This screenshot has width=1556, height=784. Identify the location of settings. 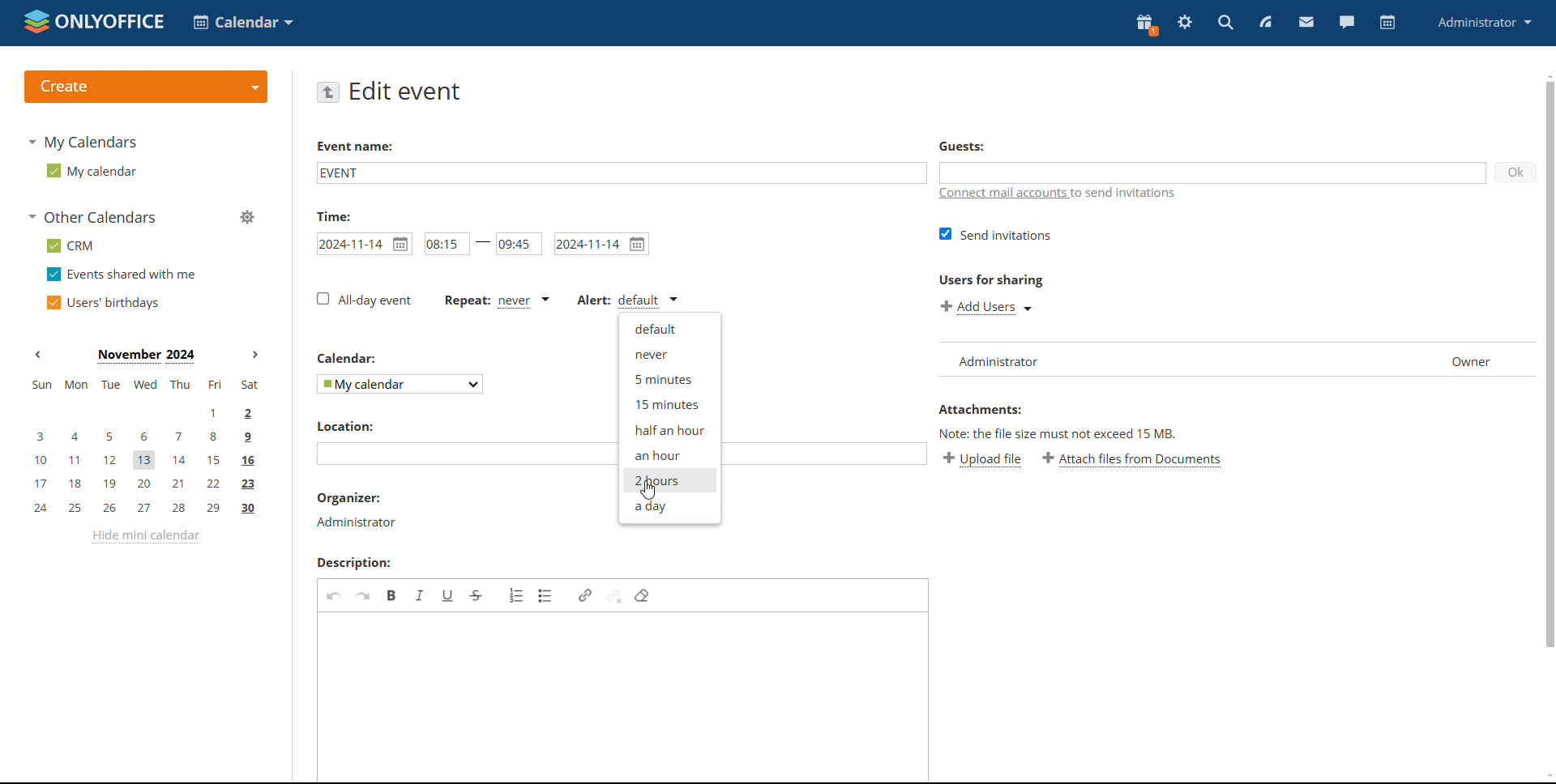
(1186, 23).